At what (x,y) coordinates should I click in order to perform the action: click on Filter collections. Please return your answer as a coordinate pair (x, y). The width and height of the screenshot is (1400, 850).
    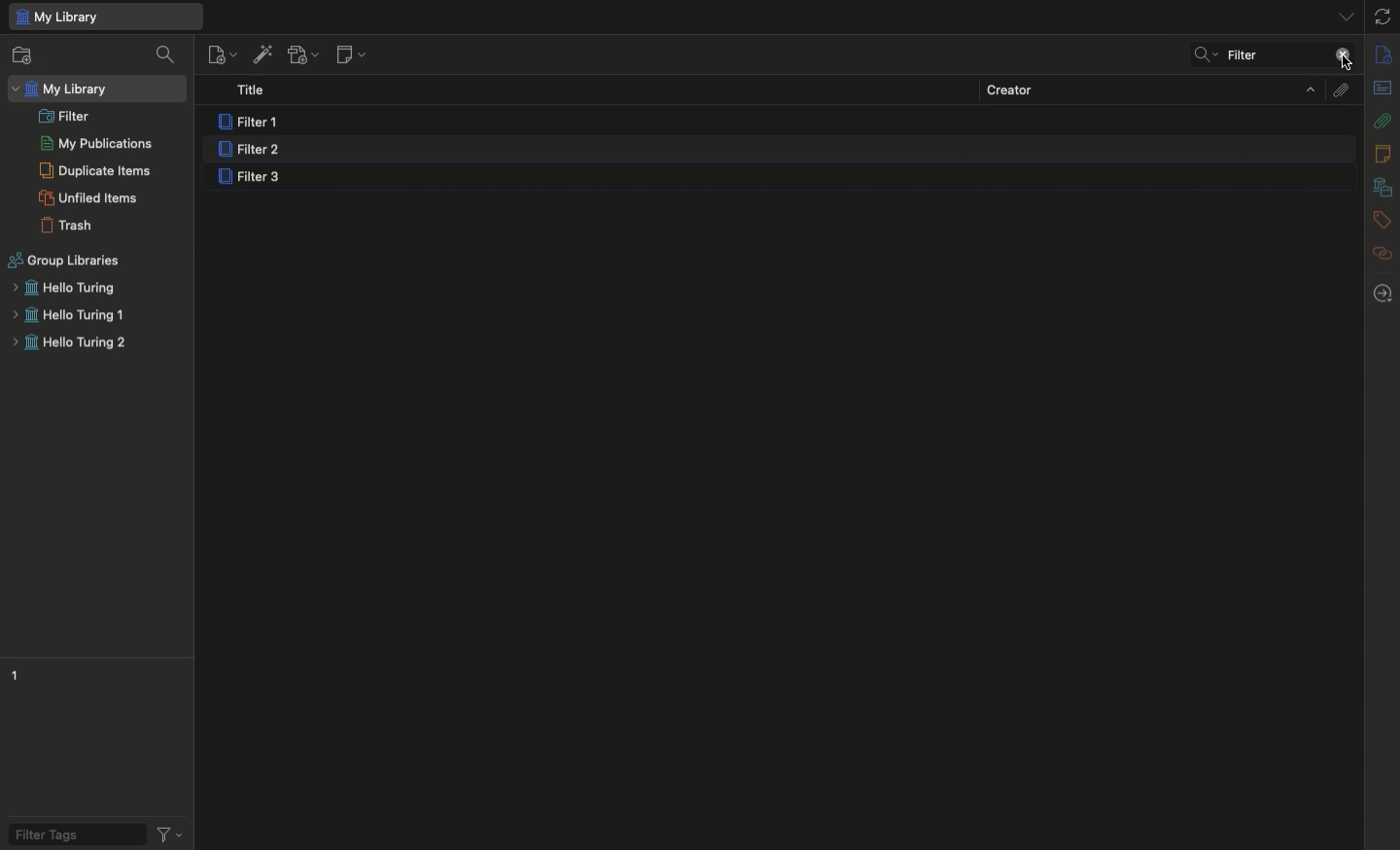
    Looking at the image, I should click on (168, 54).